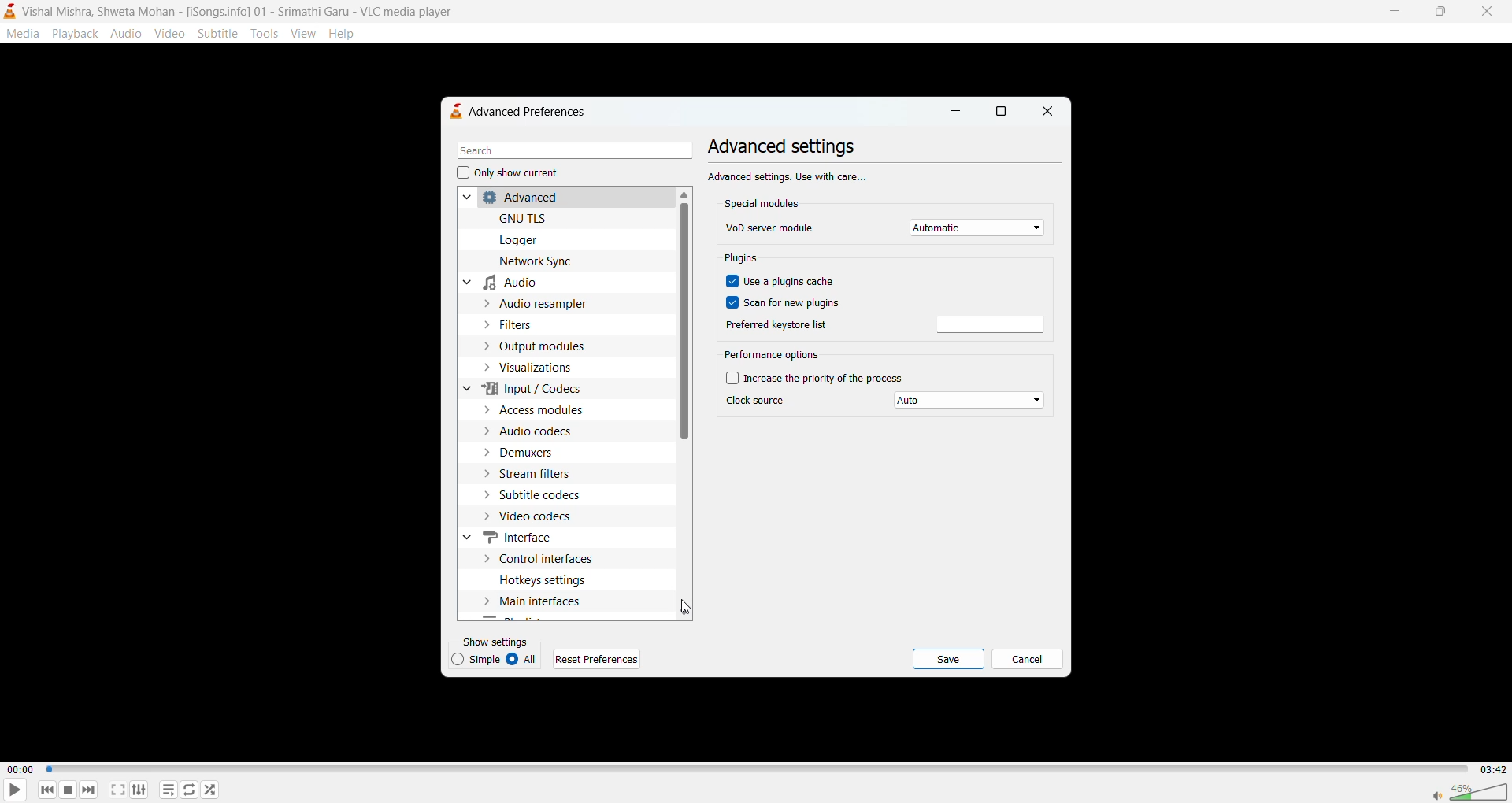 The width and height of the screenshot is (1512, 803). I want to click on use a plugins cache, so click(784, 283).